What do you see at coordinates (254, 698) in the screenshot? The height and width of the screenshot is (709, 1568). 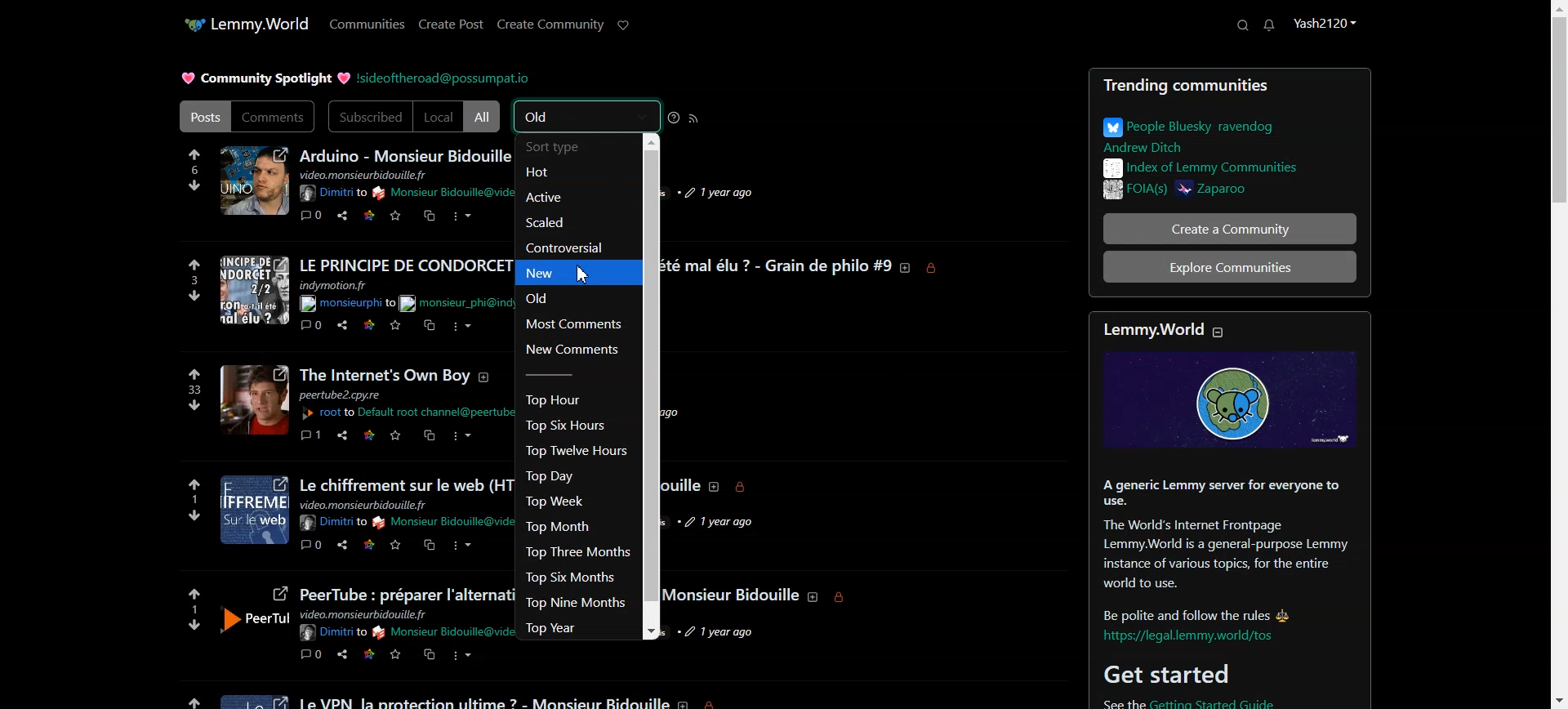 I see `Image` at bounding box center [254, 698].